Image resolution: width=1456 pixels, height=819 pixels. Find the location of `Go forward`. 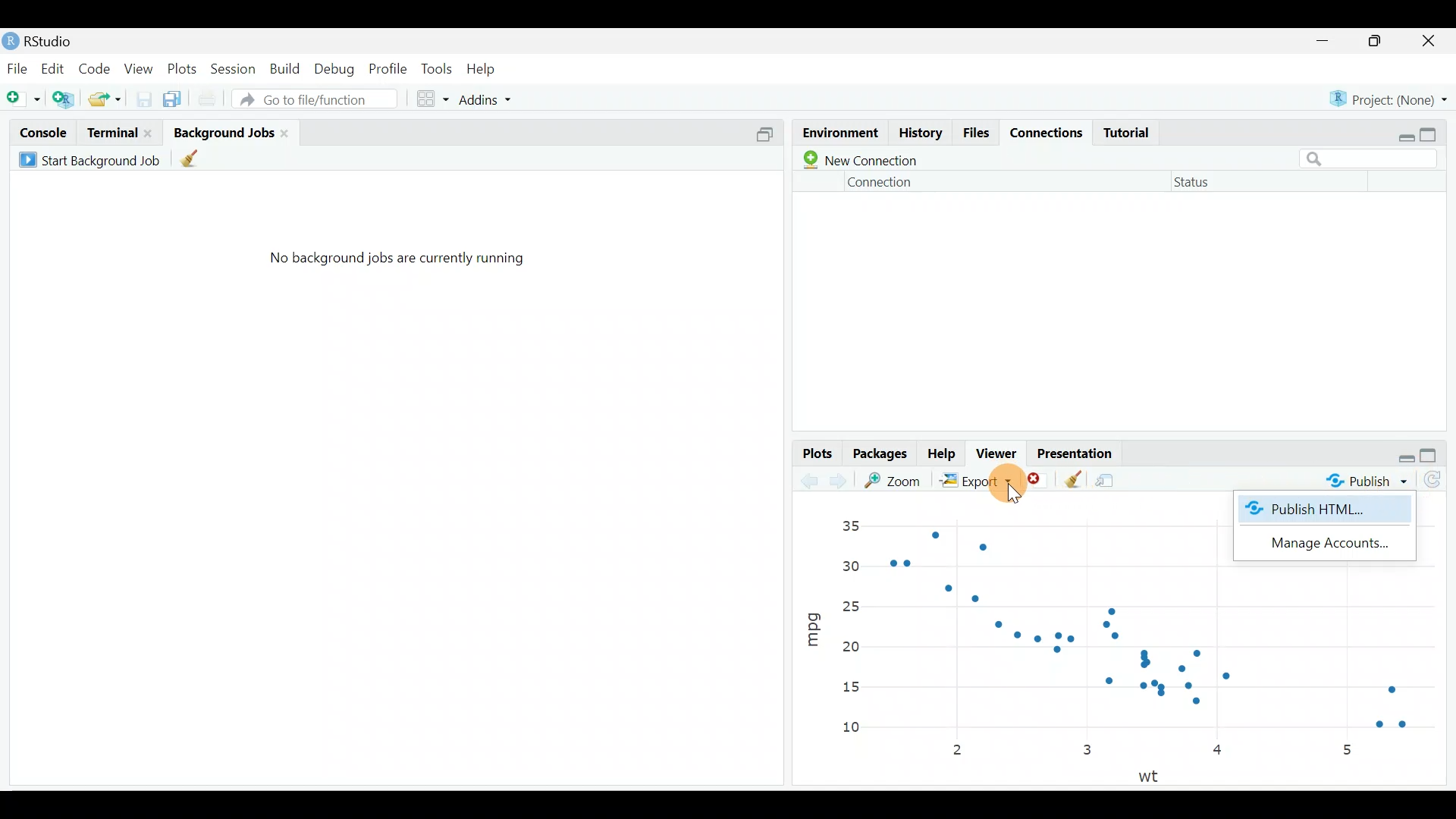

Go forward is located at coordinates (843, 481).